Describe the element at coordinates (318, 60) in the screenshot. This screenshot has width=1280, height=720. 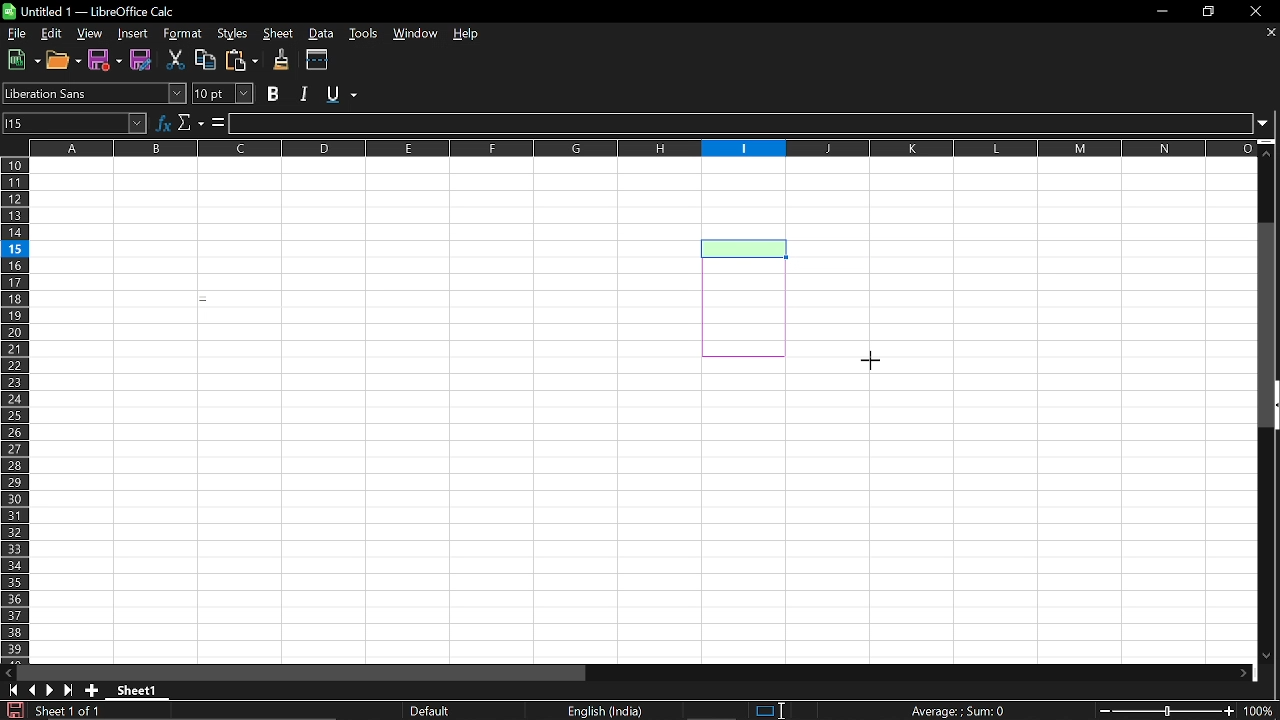
I see `Split wondows` at that location.